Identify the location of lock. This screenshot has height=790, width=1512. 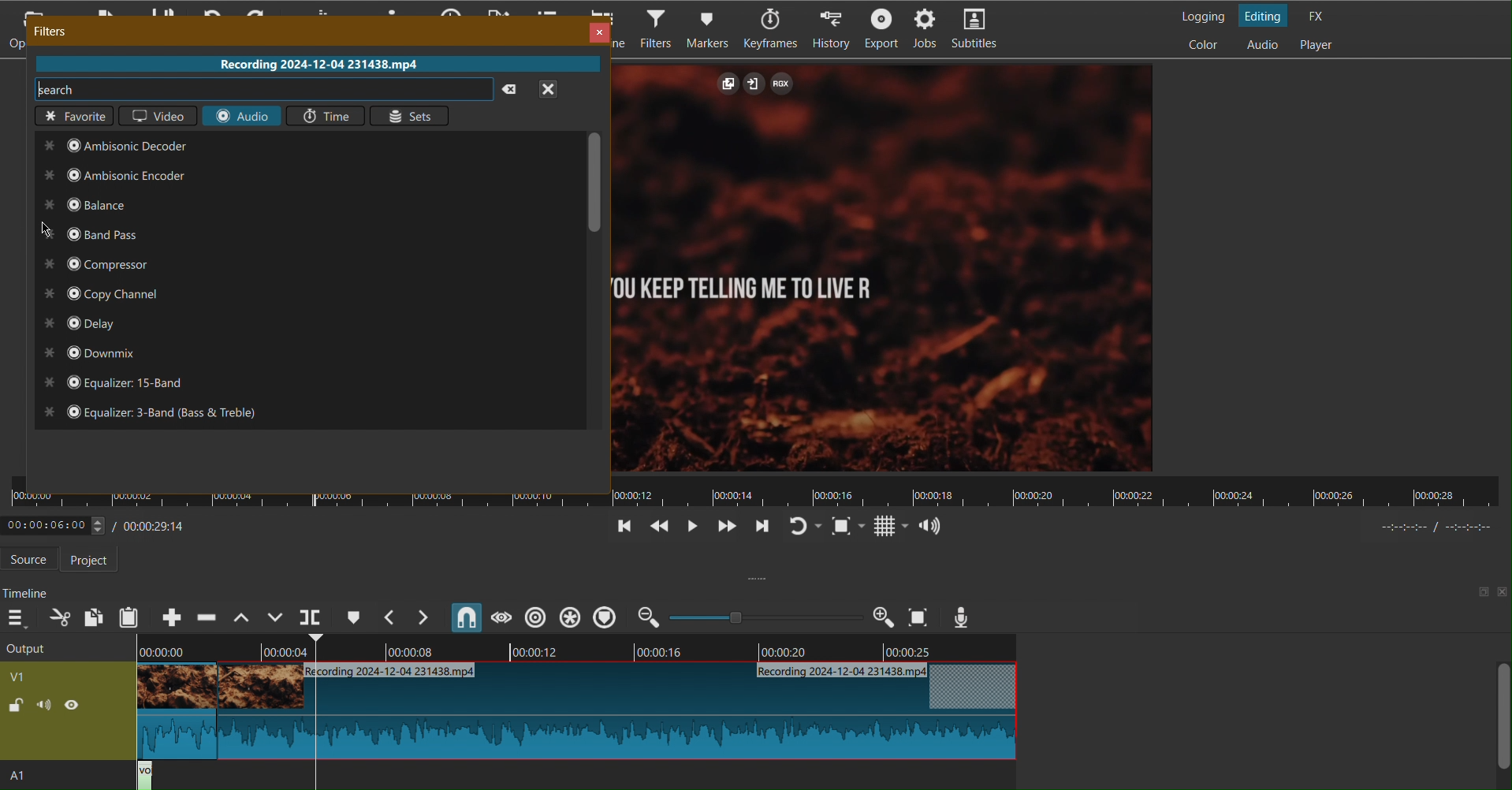
(16, 707).